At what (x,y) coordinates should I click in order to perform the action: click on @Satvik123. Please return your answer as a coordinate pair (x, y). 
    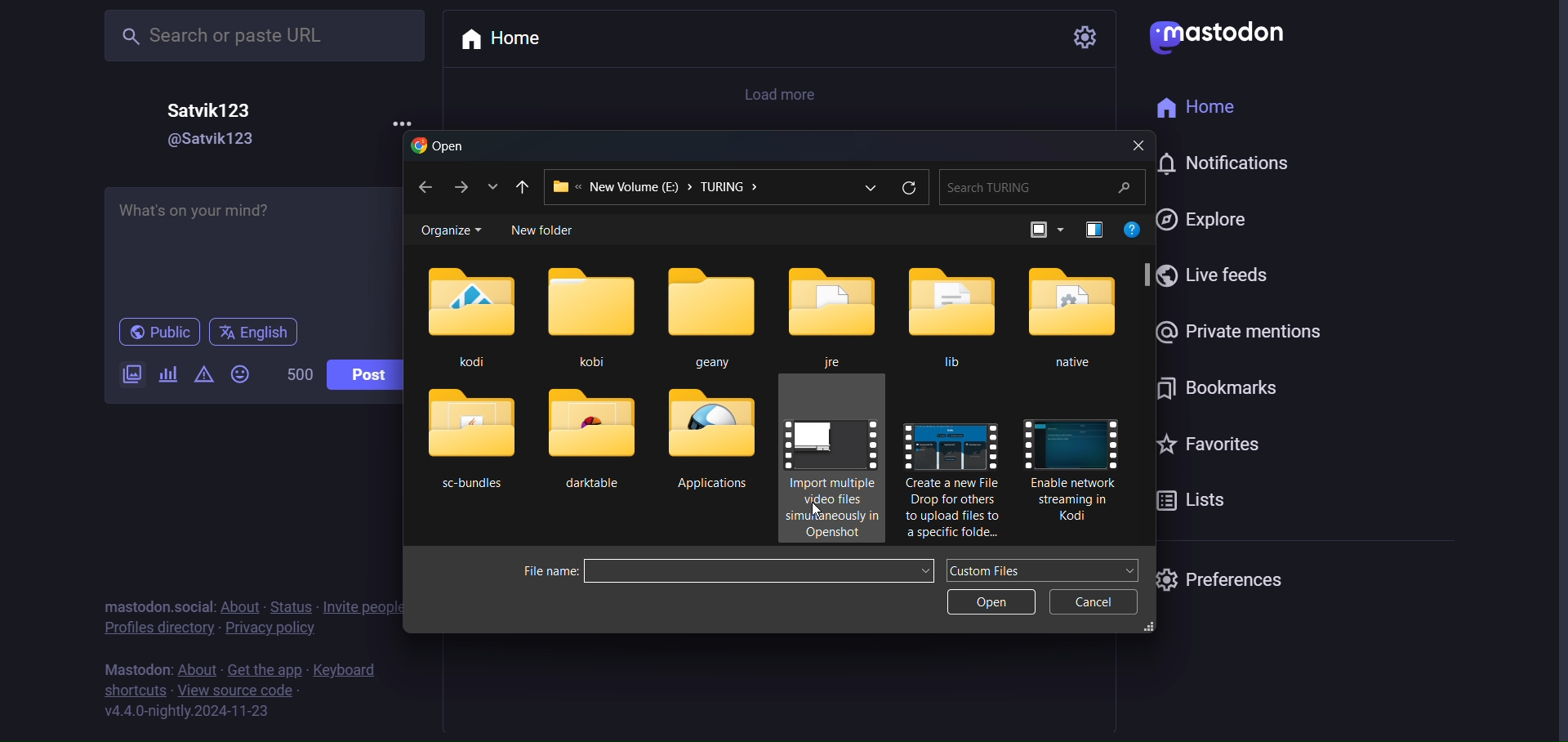
    Looking at the image, I should click on (221, 140).